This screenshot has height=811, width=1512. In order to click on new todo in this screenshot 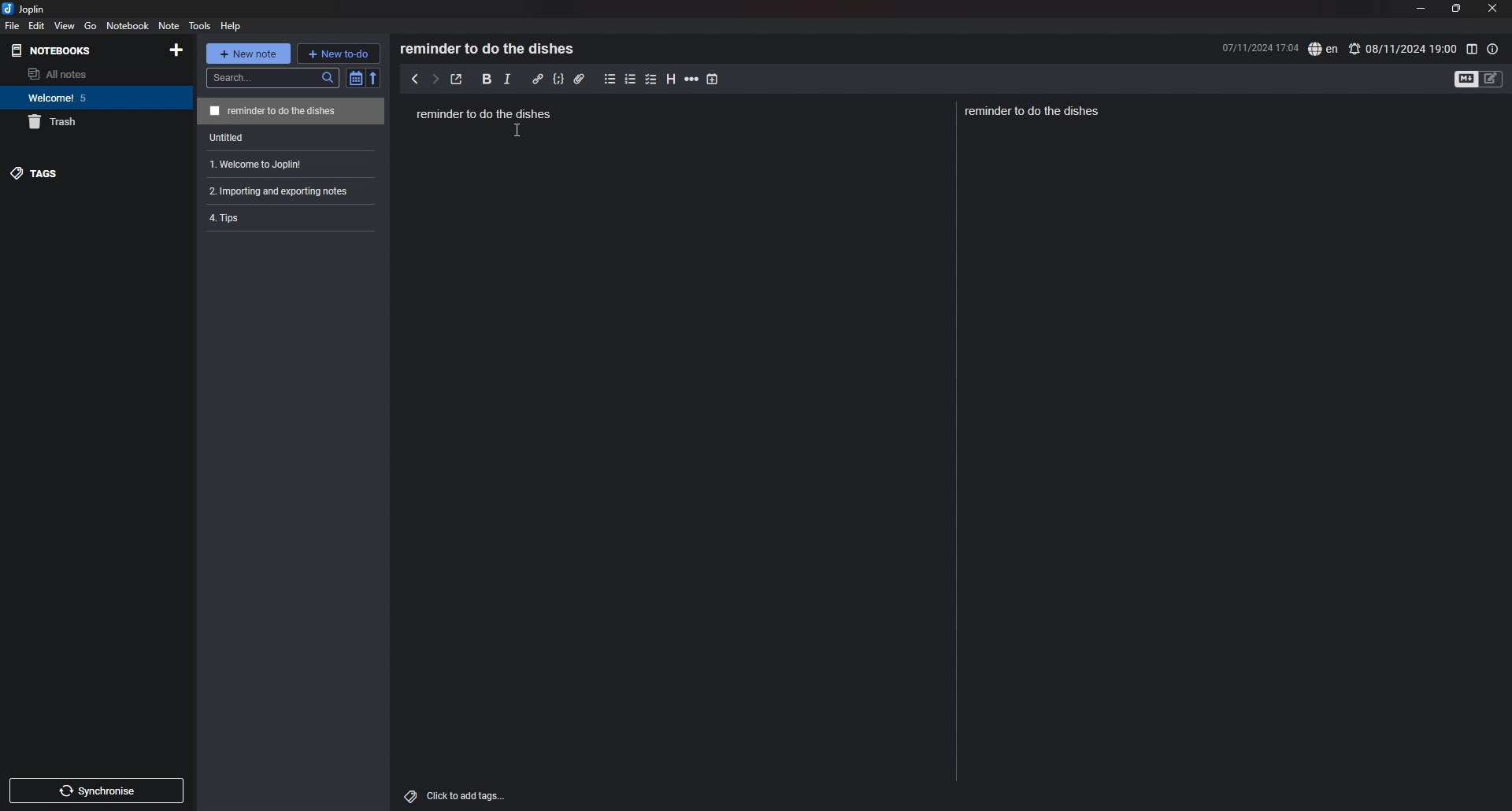, I will do `click(339, 54)`.